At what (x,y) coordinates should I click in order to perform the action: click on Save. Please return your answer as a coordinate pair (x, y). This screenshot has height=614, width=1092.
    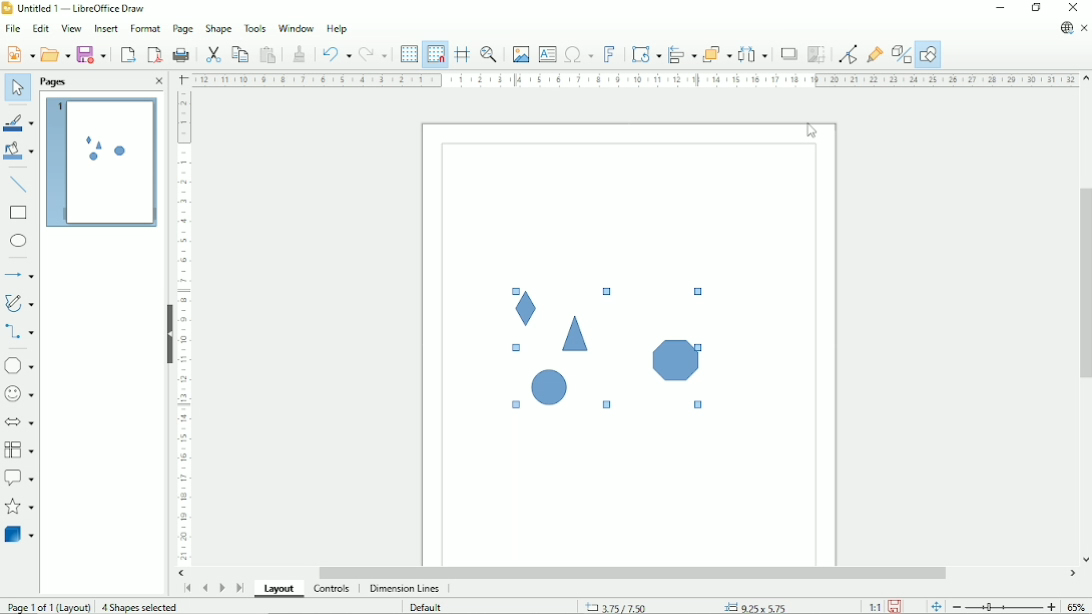
    Looking at the image, I should click on (895, 606).